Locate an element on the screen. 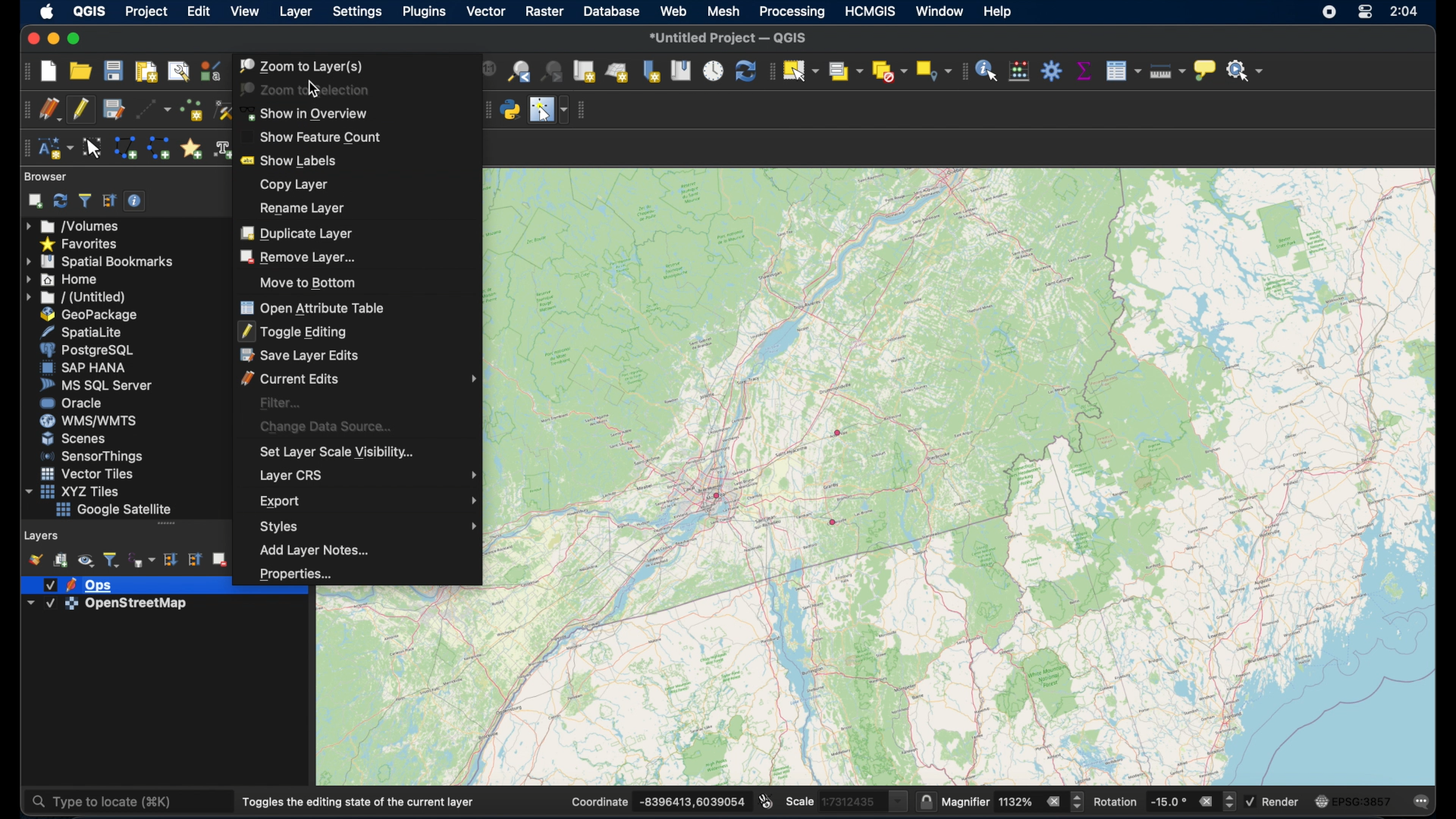 This screenshot has width=1456, height=819. view is located at coordinates (243, 11).